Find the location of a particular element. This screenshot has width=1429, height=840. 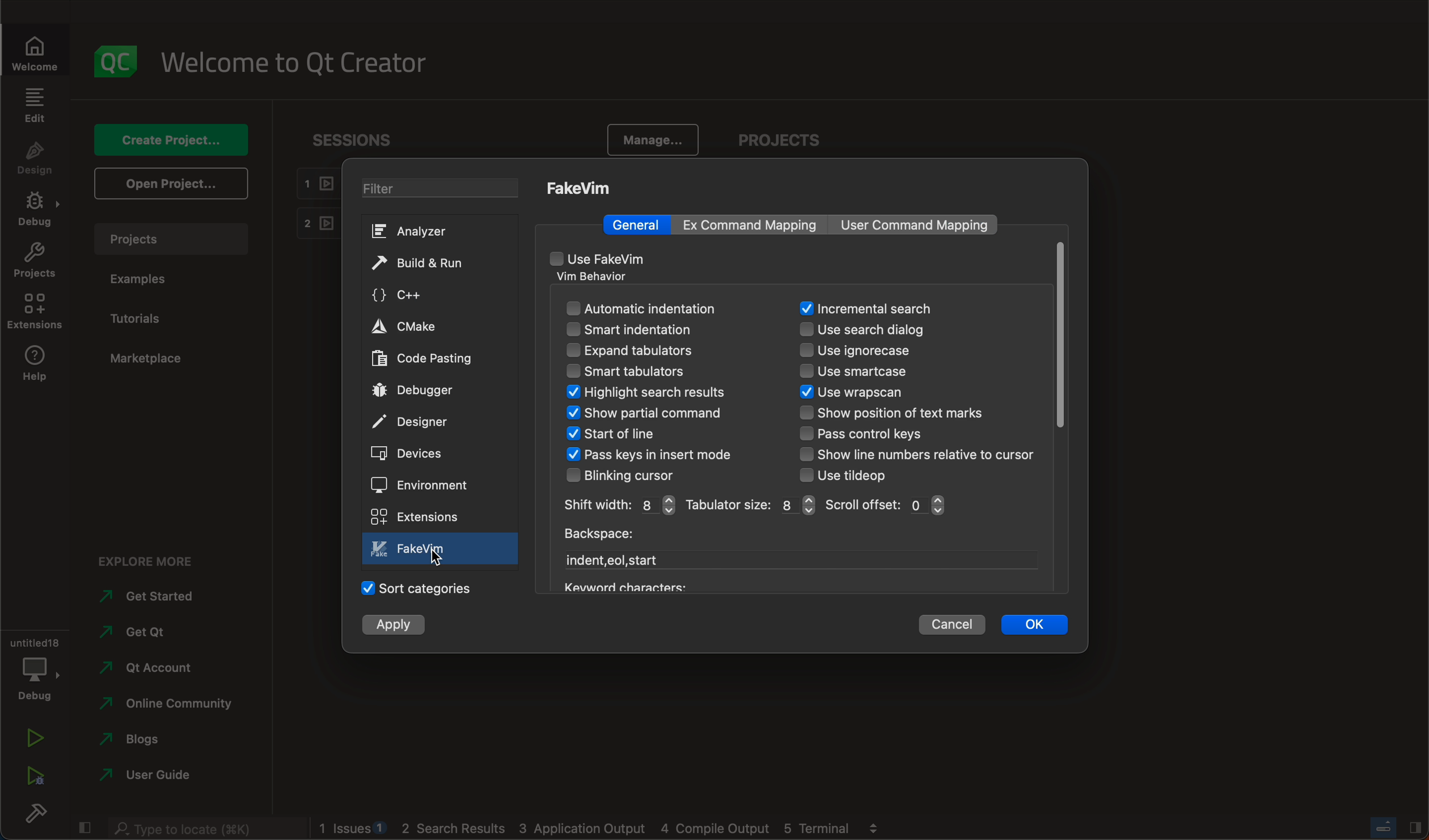

mapping is located at coordinates (758, 224).